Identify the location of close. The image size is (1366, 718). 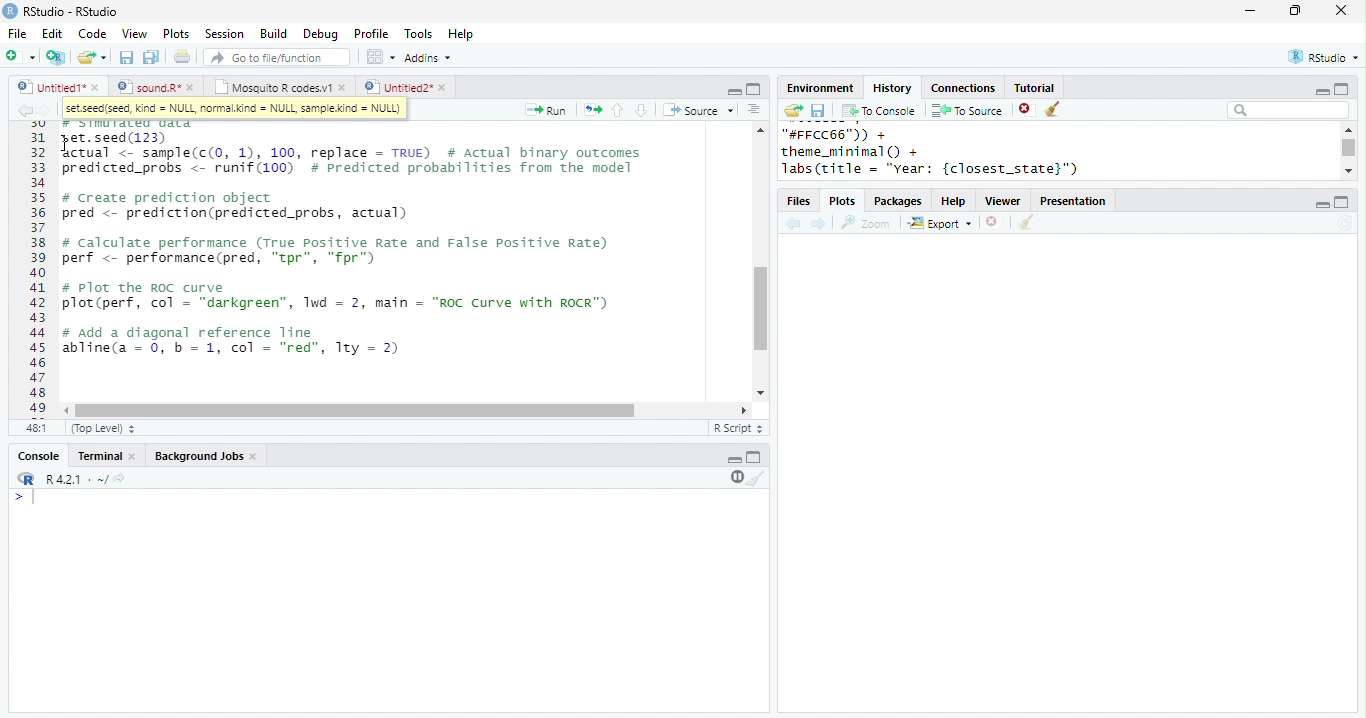
(134, 457).